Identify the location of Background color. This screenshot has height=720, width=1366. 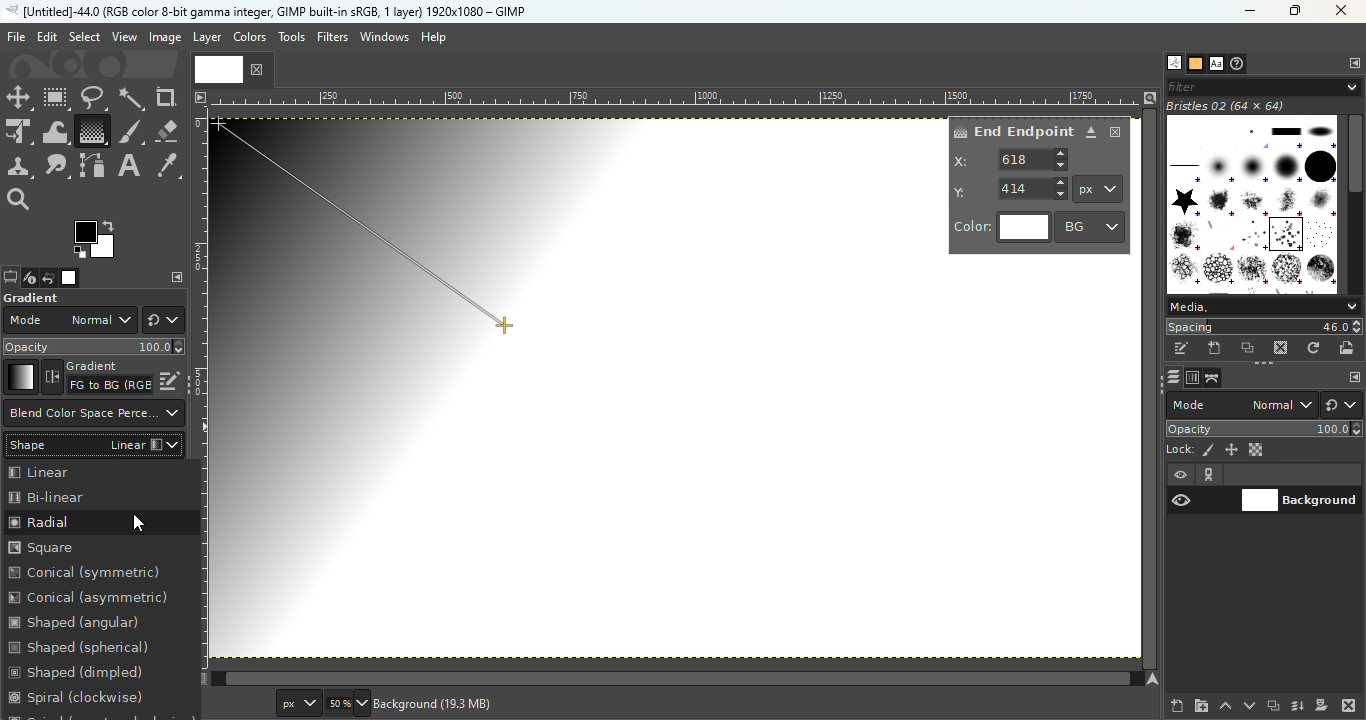
(1091, 226).